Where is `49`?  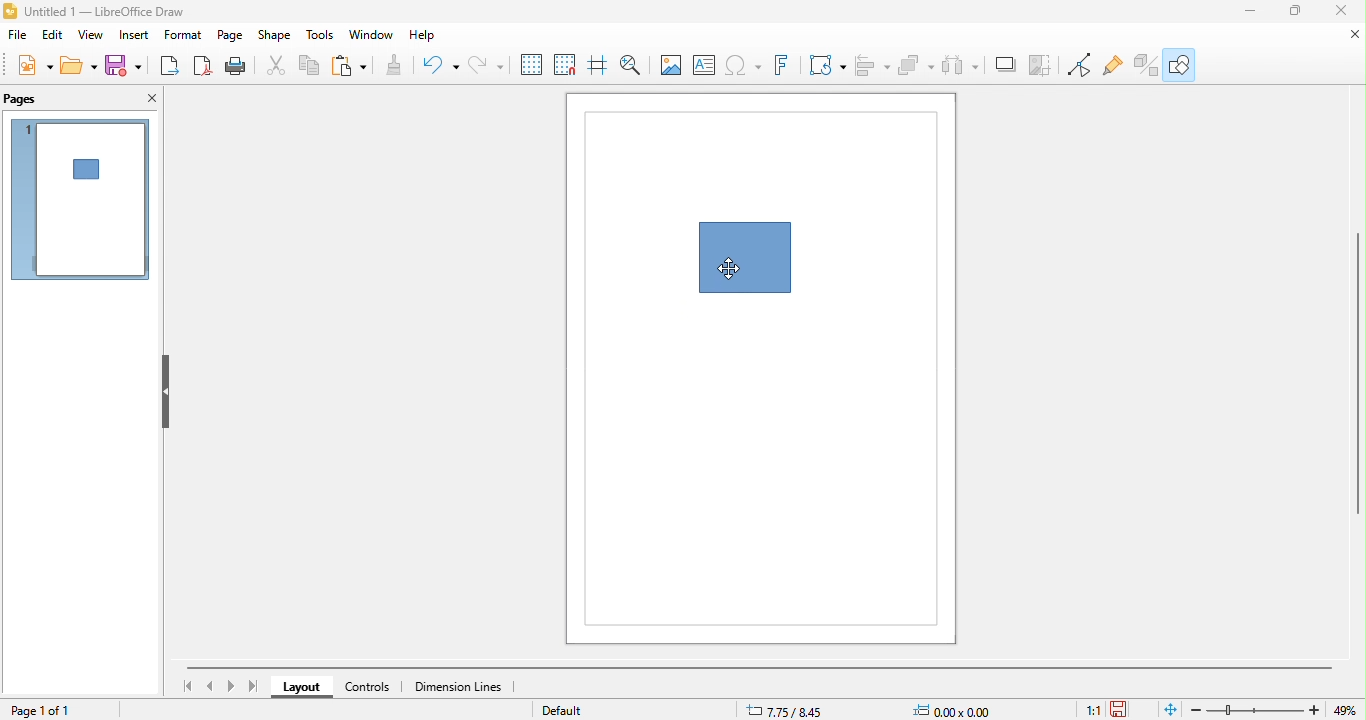
49 is located at coordinates (1348, 710).